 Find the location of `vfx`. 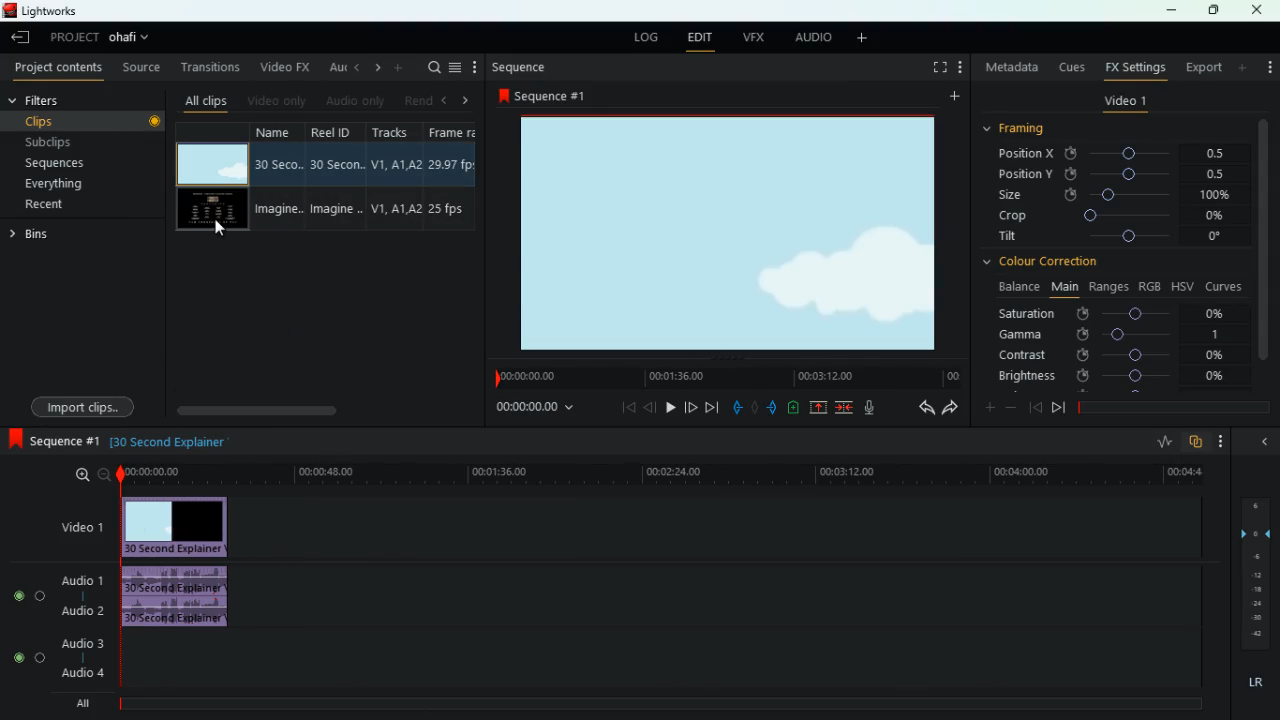

vfx is located at coordinates (757, 37).